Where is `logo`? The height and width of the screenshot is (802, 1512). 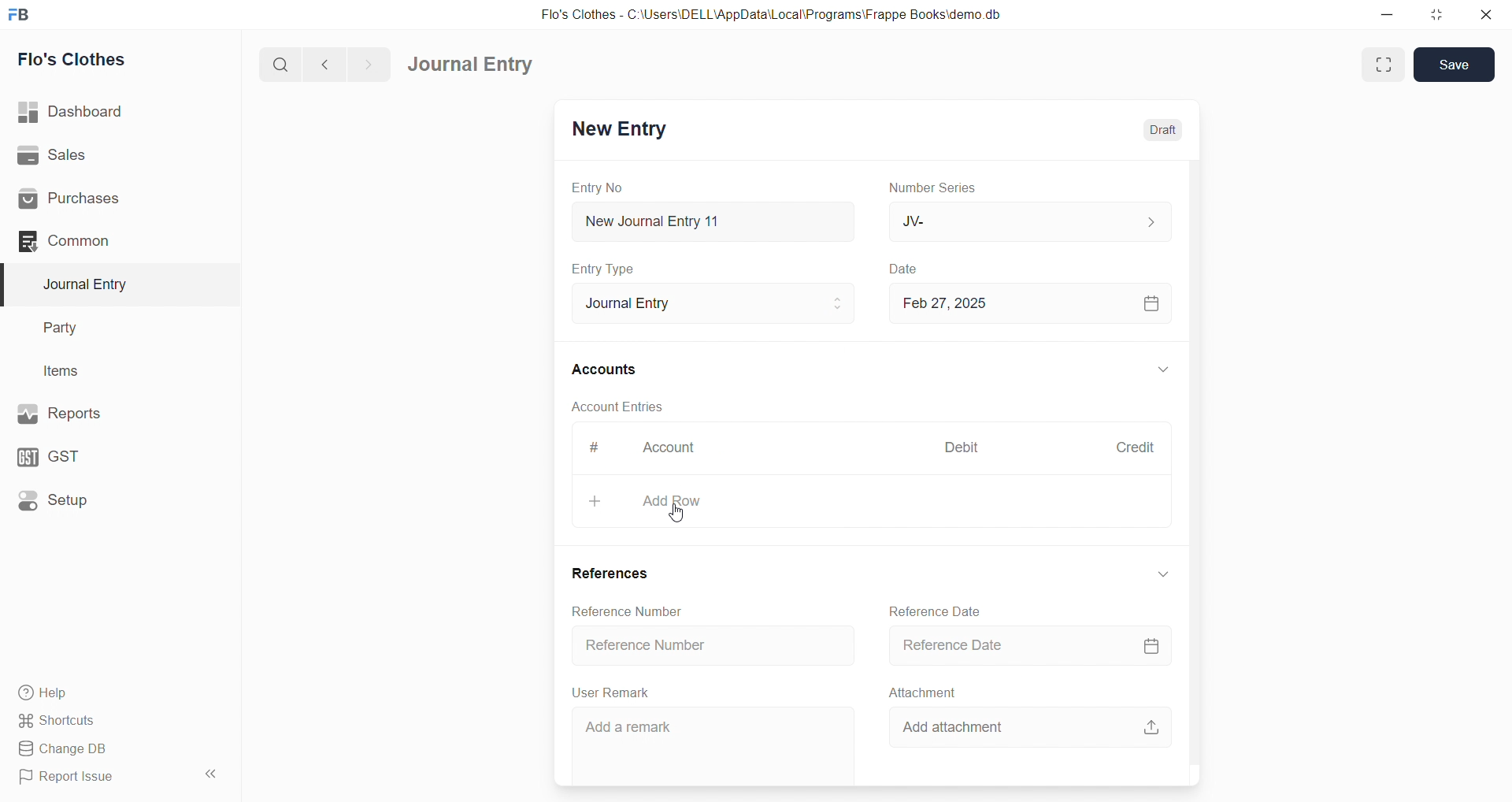
logo is located at coordinates (24, 13).